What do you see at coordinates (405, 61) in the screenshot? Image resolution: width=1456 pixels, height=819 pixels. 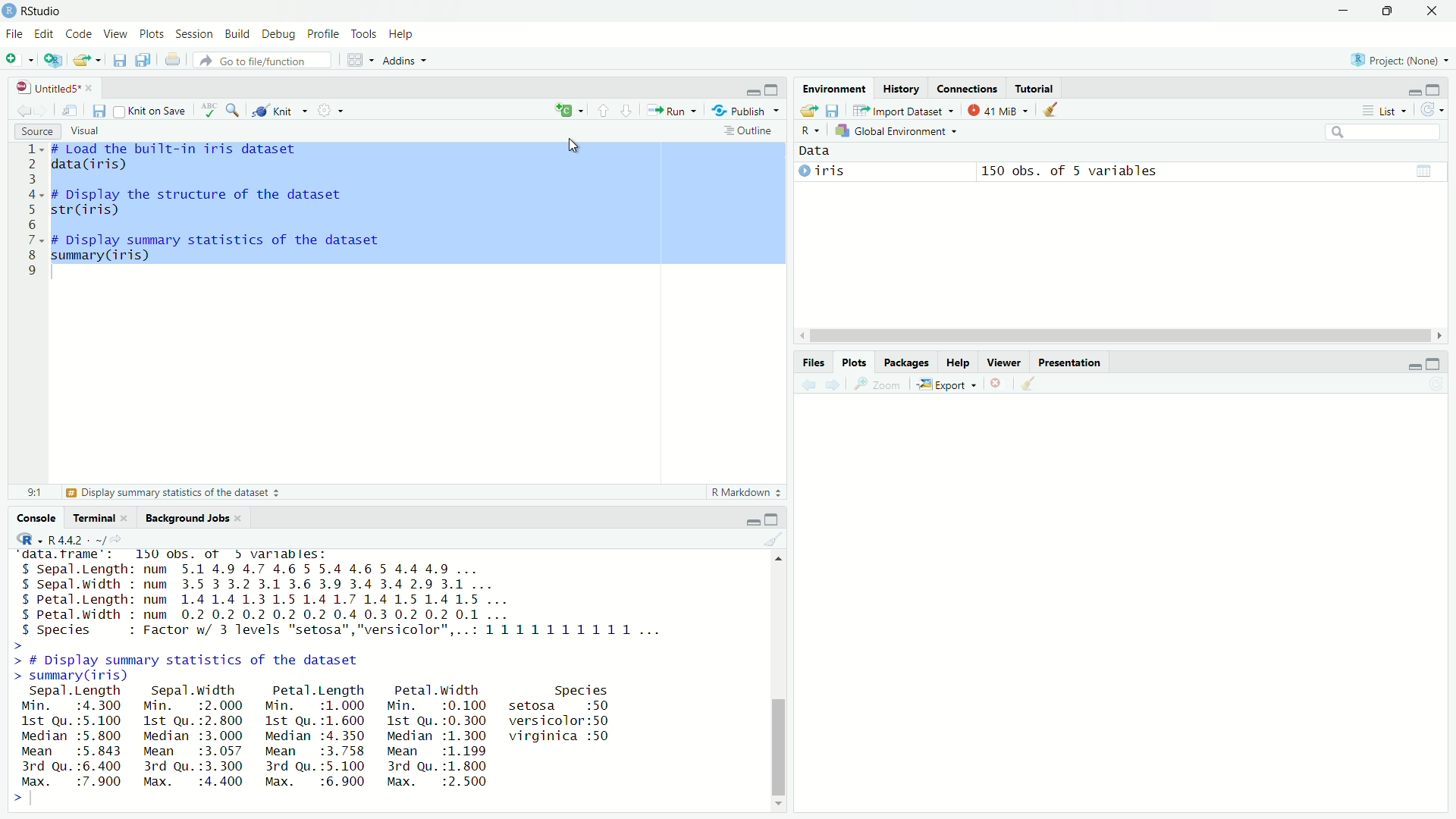 I see `Addins` at bounding box center [405, 61].